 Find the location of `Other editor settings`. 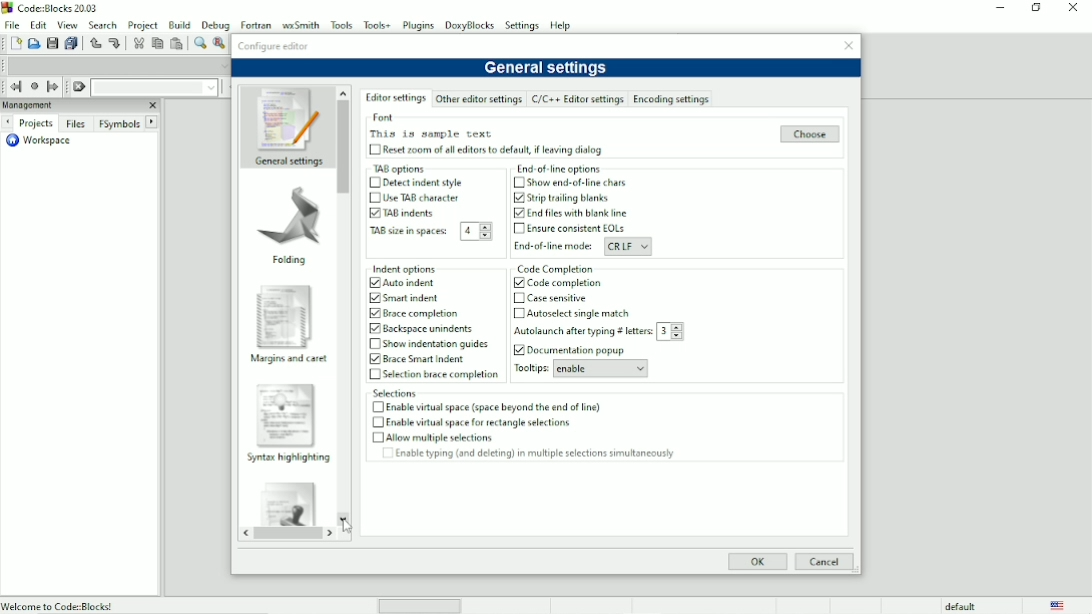

Other editor settings is located at coordinates (479, 101).